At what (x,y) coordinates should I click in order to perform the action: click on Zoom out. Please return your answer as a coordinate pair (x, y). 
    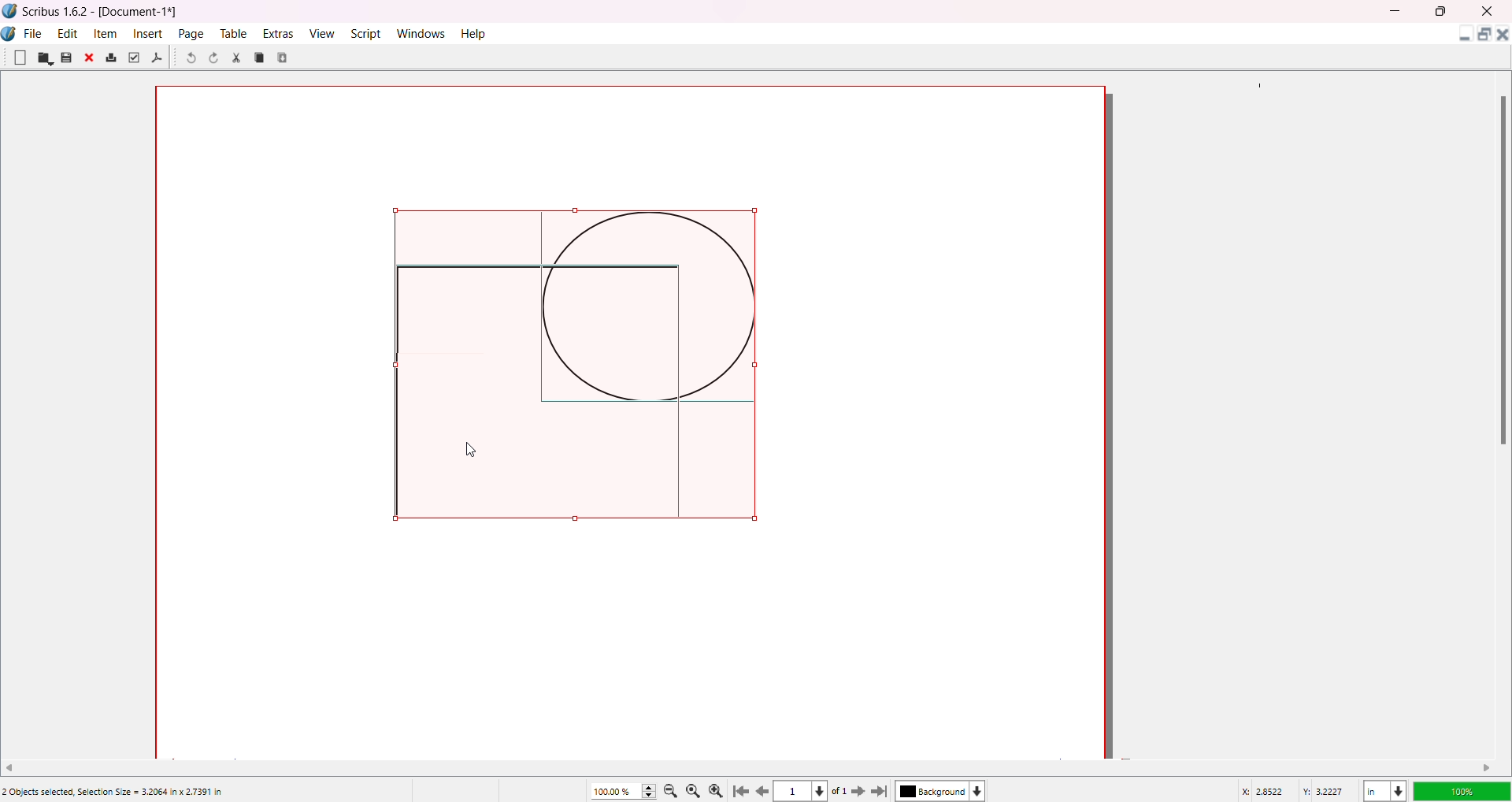
    Looking at the image, I should click on (673, 790).